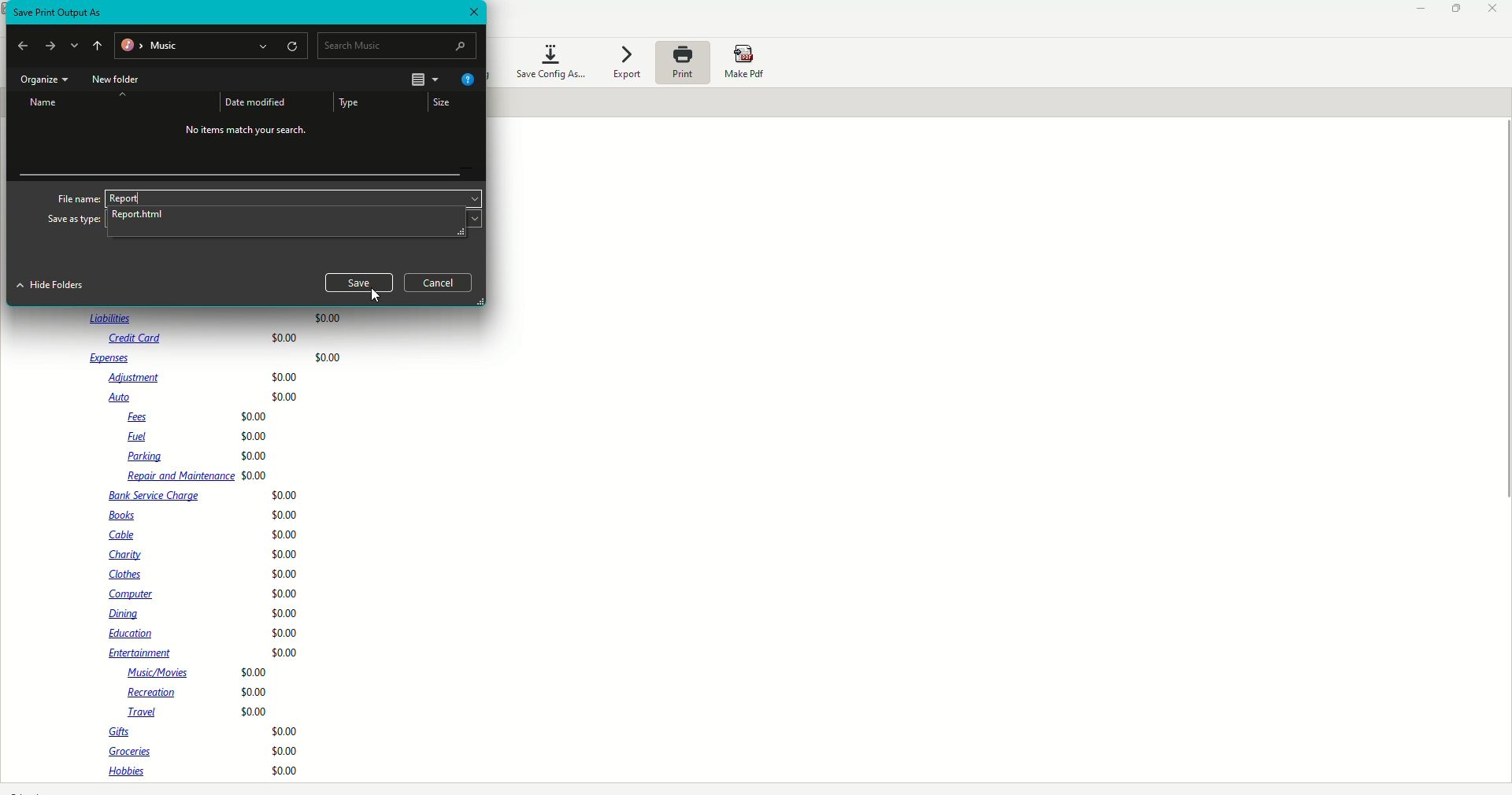  Describe the element at coordinates (398, 45) in the screenshot. I see `Search Bar` at that location.